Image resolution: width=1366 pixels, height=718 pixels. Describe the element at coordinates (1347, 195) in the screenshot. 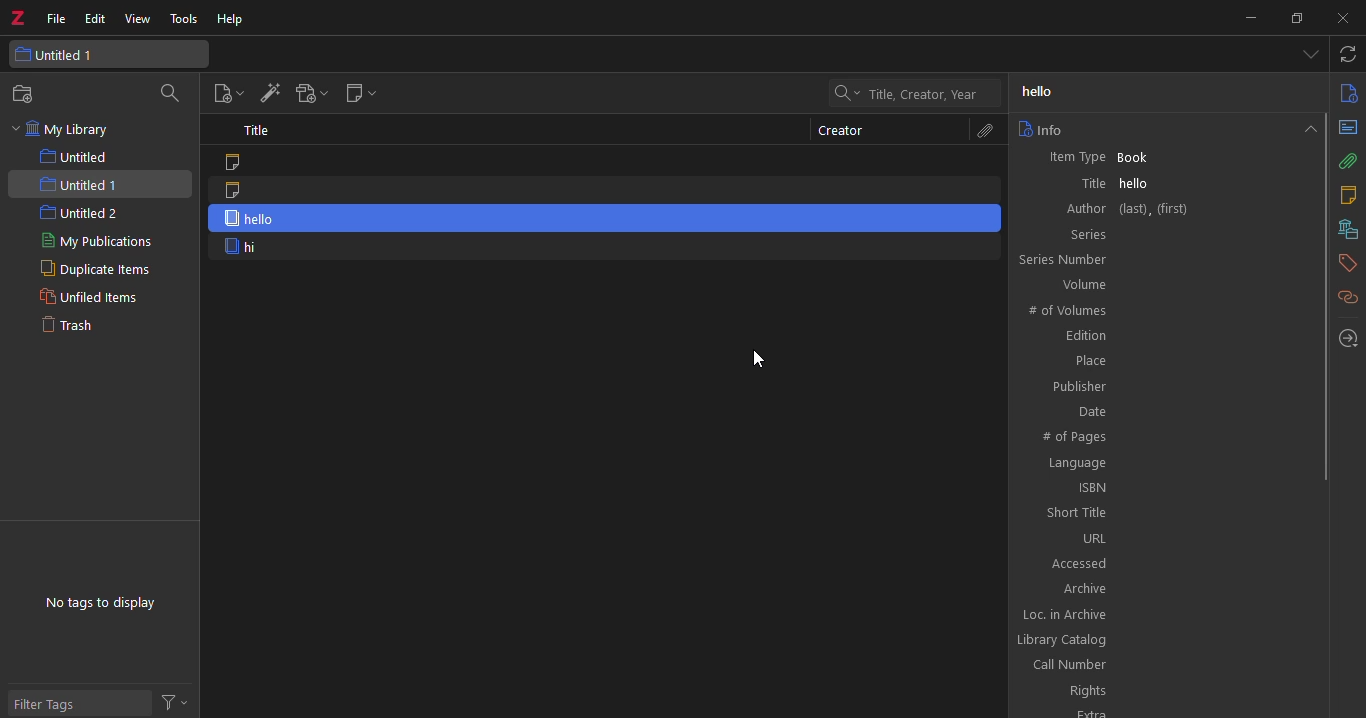

I see `notes` at that location.